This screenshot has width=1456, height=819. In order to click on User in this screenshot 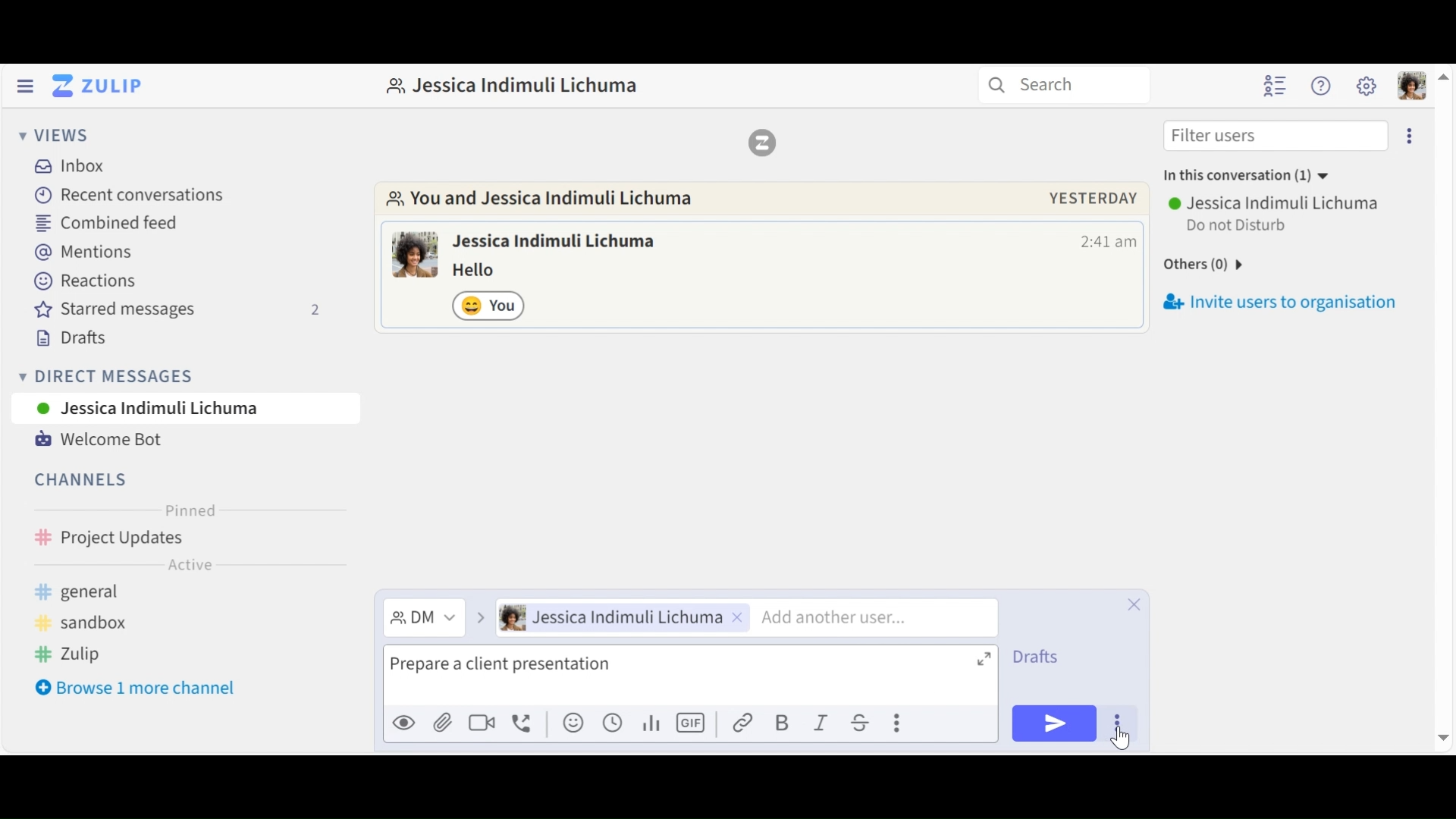, I will do `click(618, 619)`.